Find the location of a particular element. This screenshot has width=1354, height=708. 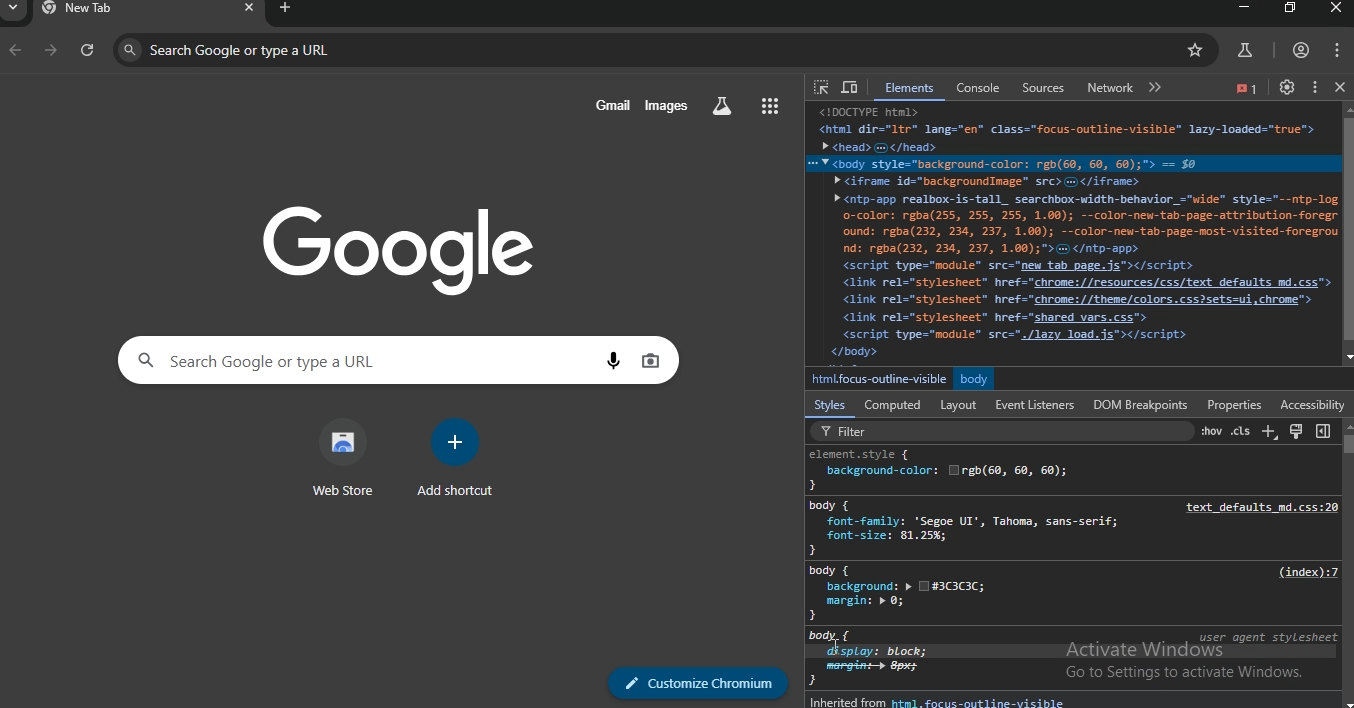

web store is located at coordinates (349, 458).